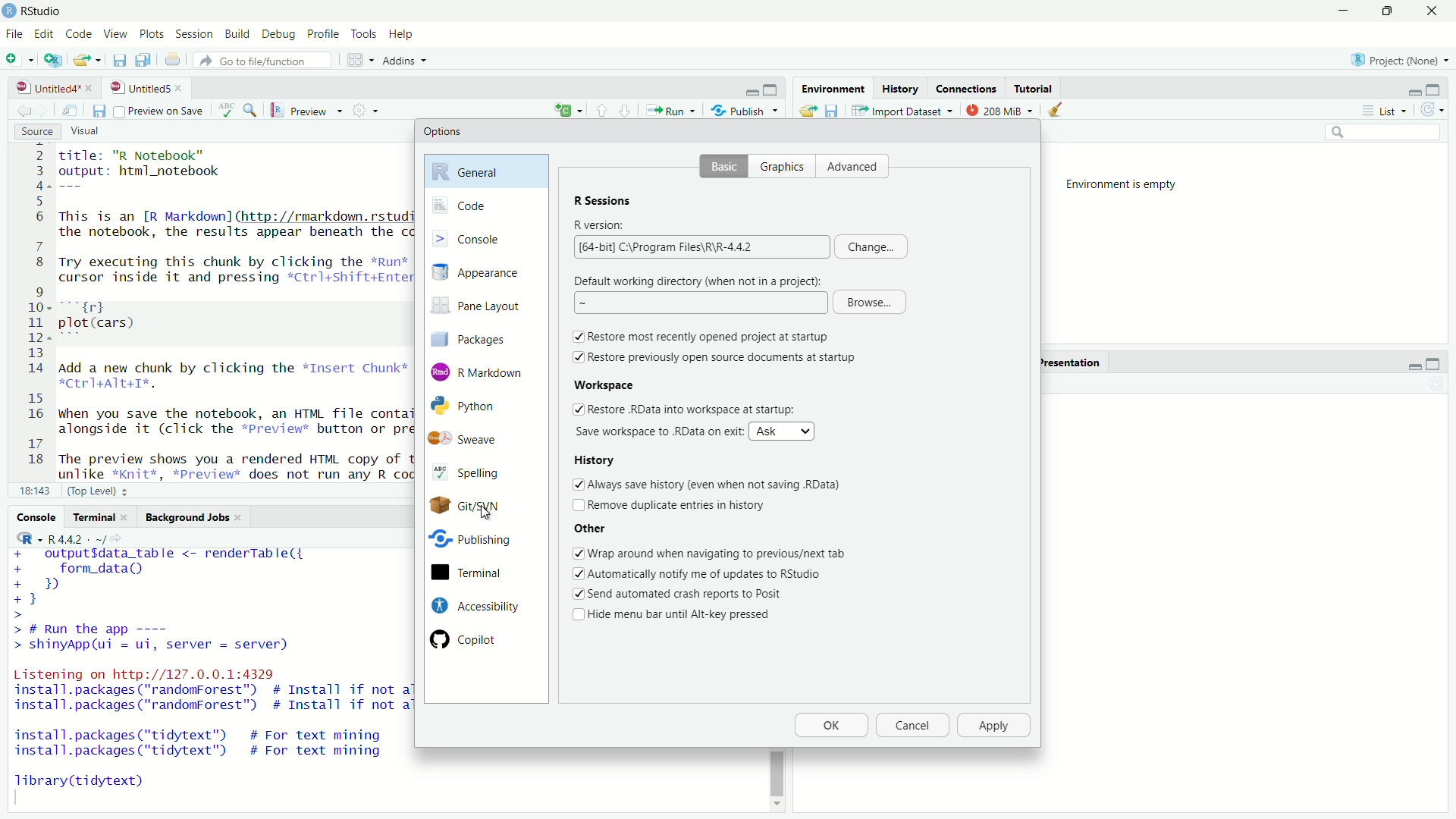  I want to click on C Add menu, so click(568, 108).